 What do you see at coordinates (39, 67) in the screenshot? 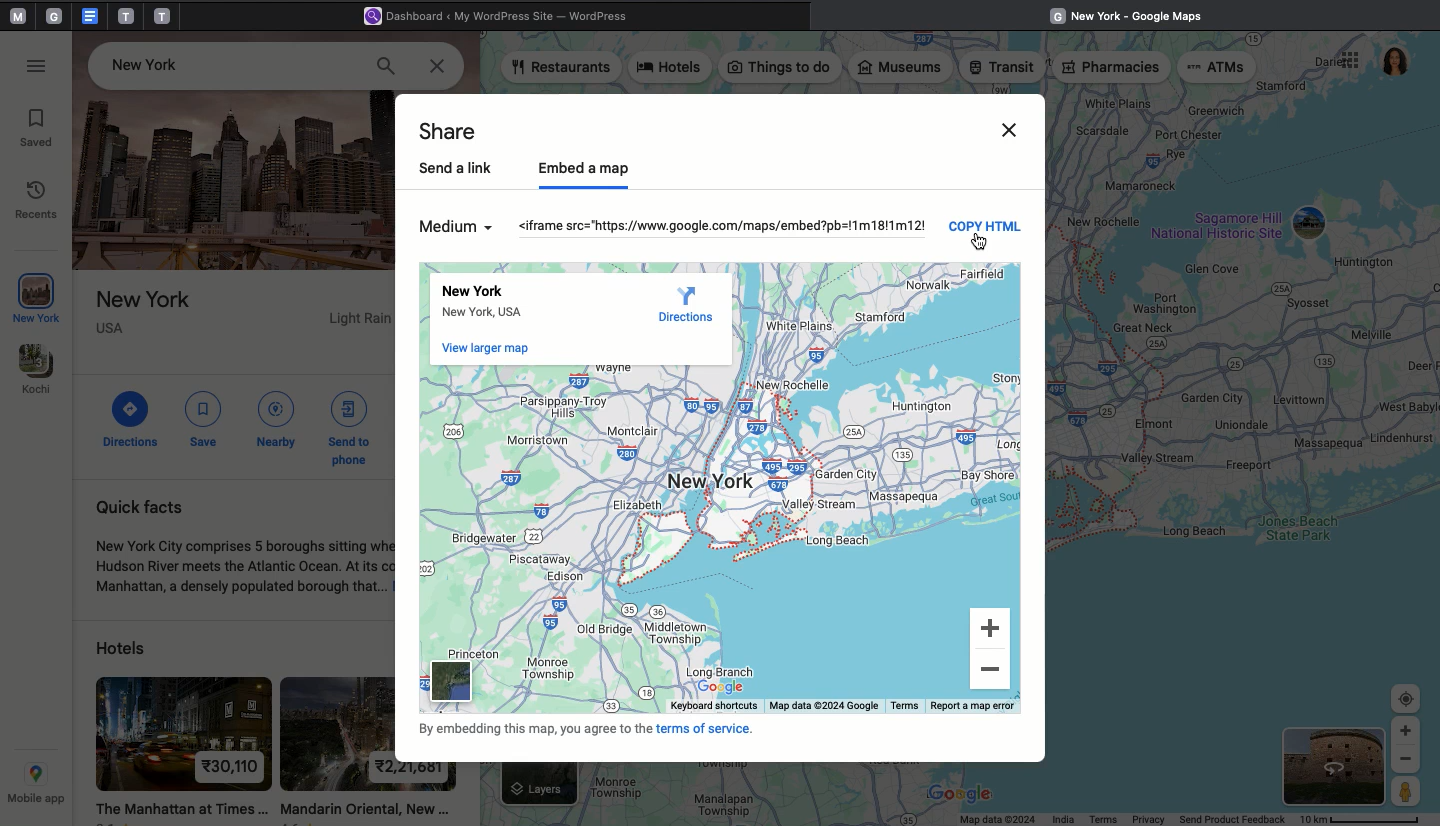
I see `Options` at bounding box center [39, 67].